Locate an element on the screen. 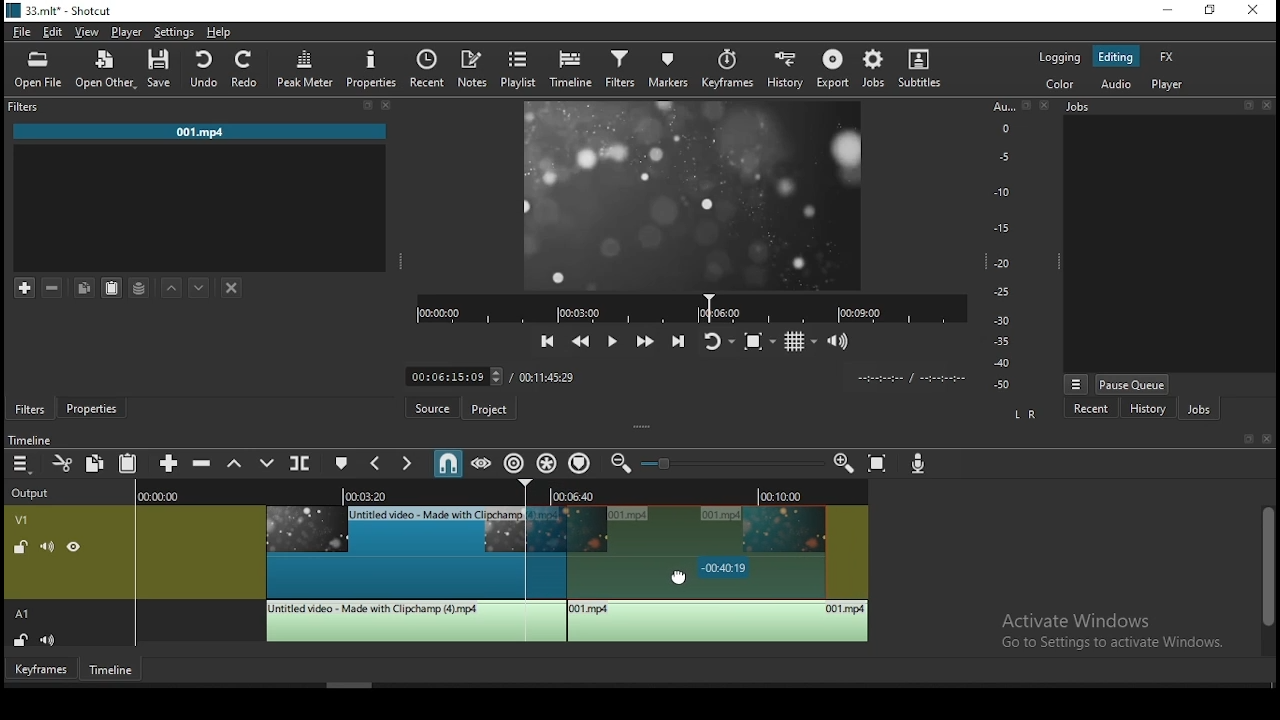  video progress bar is located at coordinates (691, 307).